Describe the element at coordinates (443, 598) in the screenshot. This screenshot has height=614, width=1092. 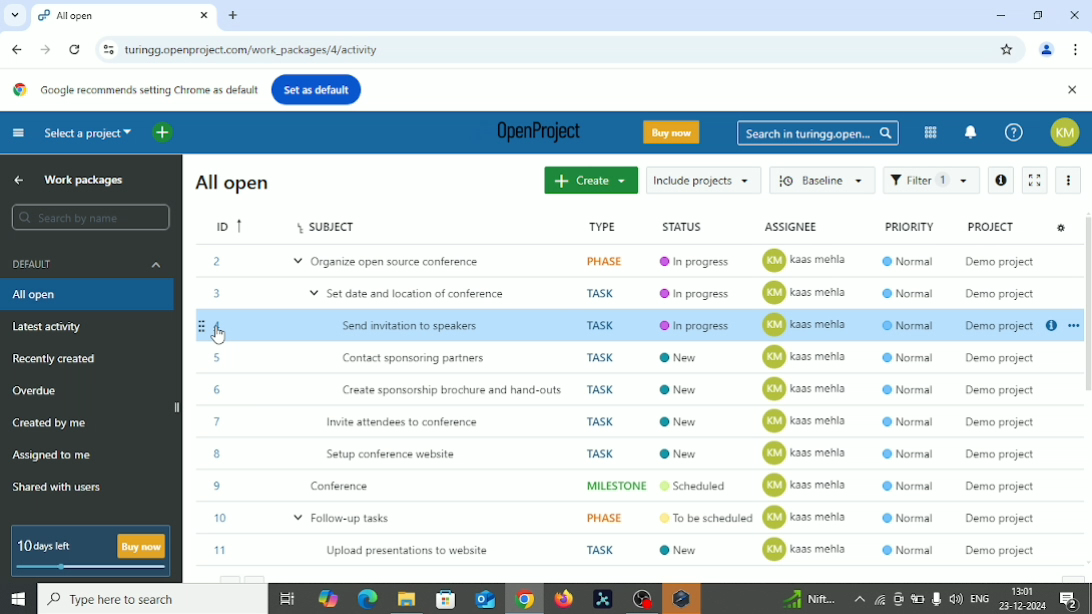
I see `Microsoft store` at that location.